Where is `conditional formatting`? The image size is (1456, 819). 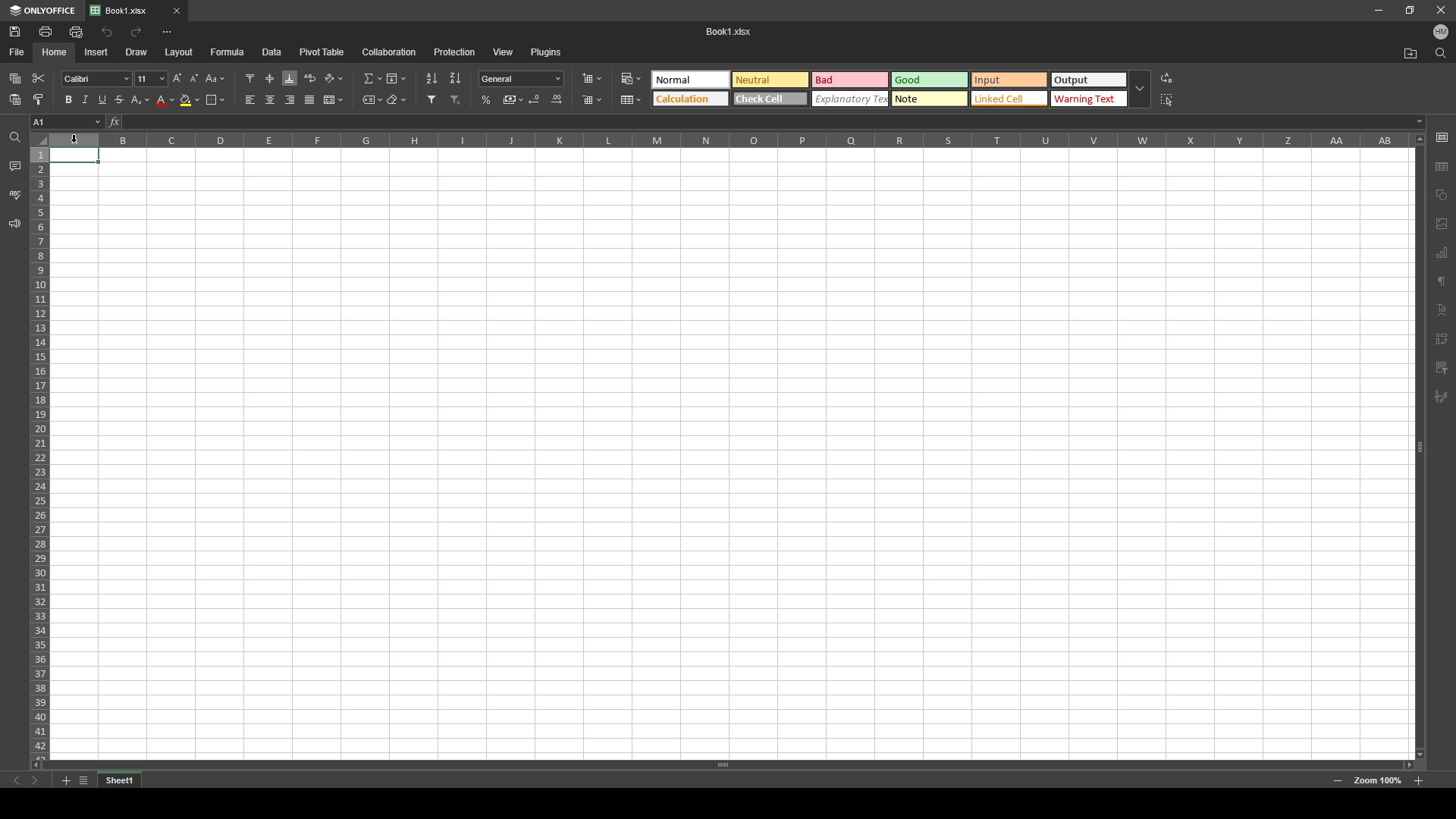 conditional formatting is located at coordinates (631, 78).